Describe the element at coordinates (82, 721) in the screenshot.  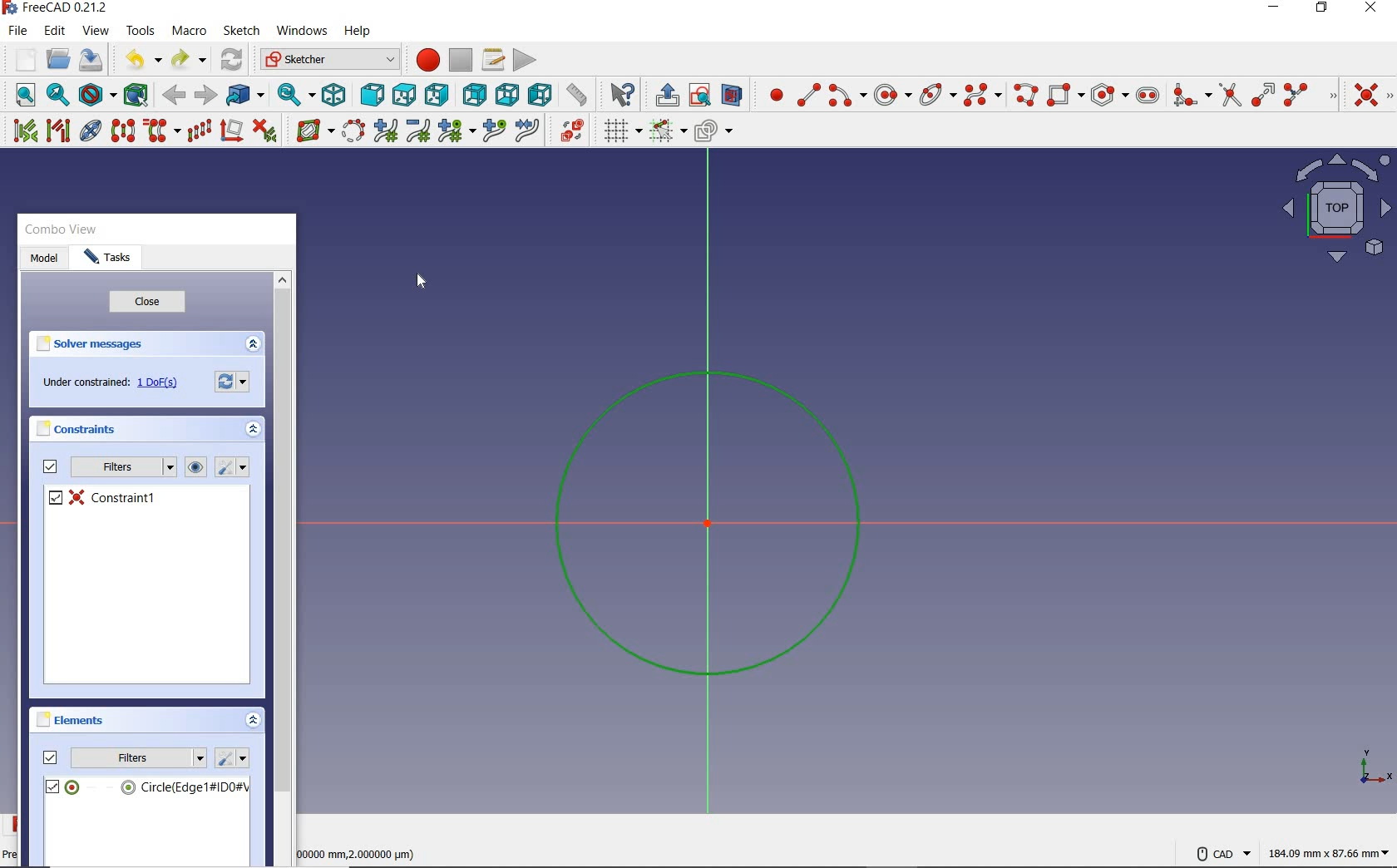
I see `elements` at that location.